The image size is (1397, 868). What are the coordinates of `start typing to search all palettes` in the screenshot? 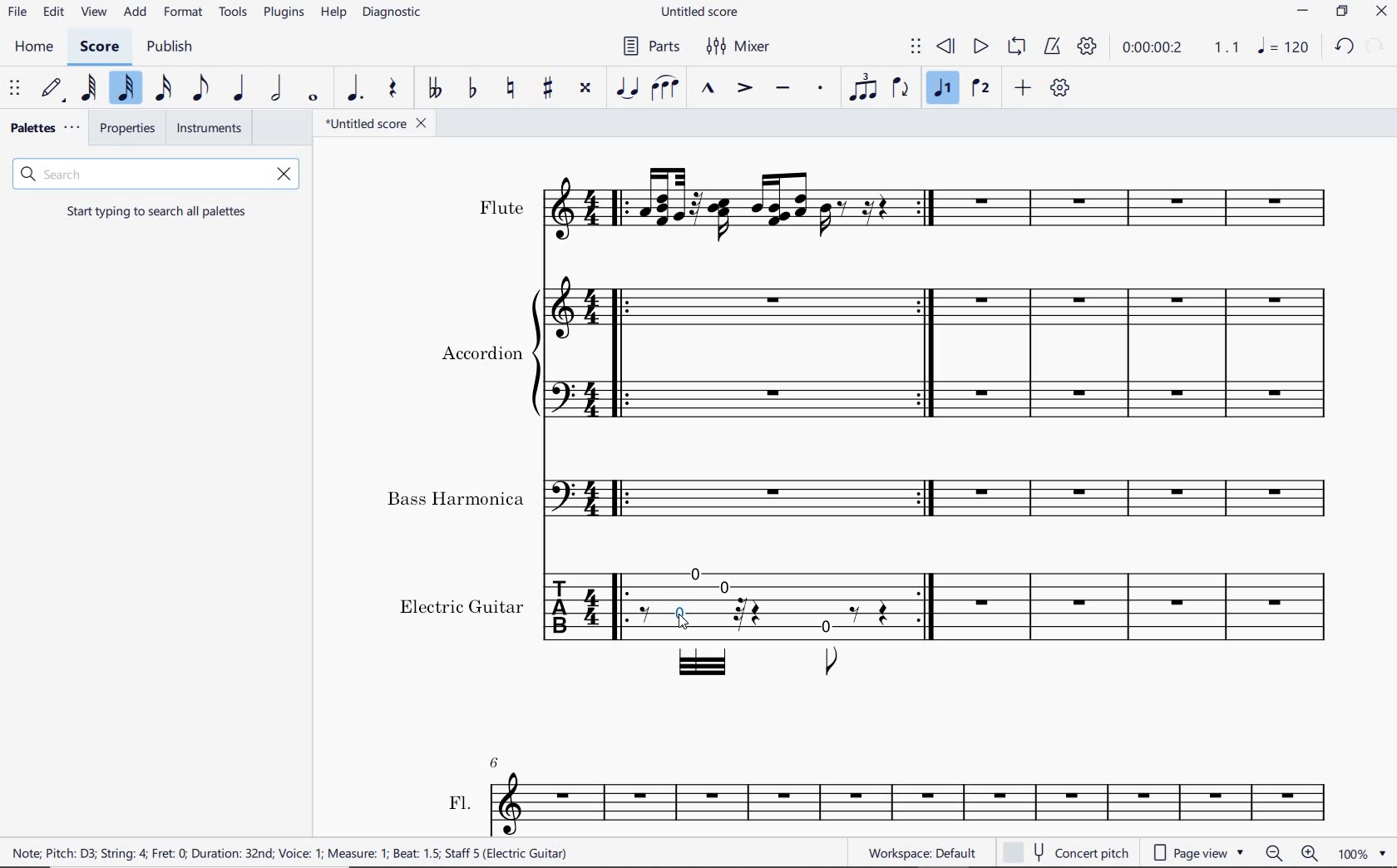 It's located at (163, 212).